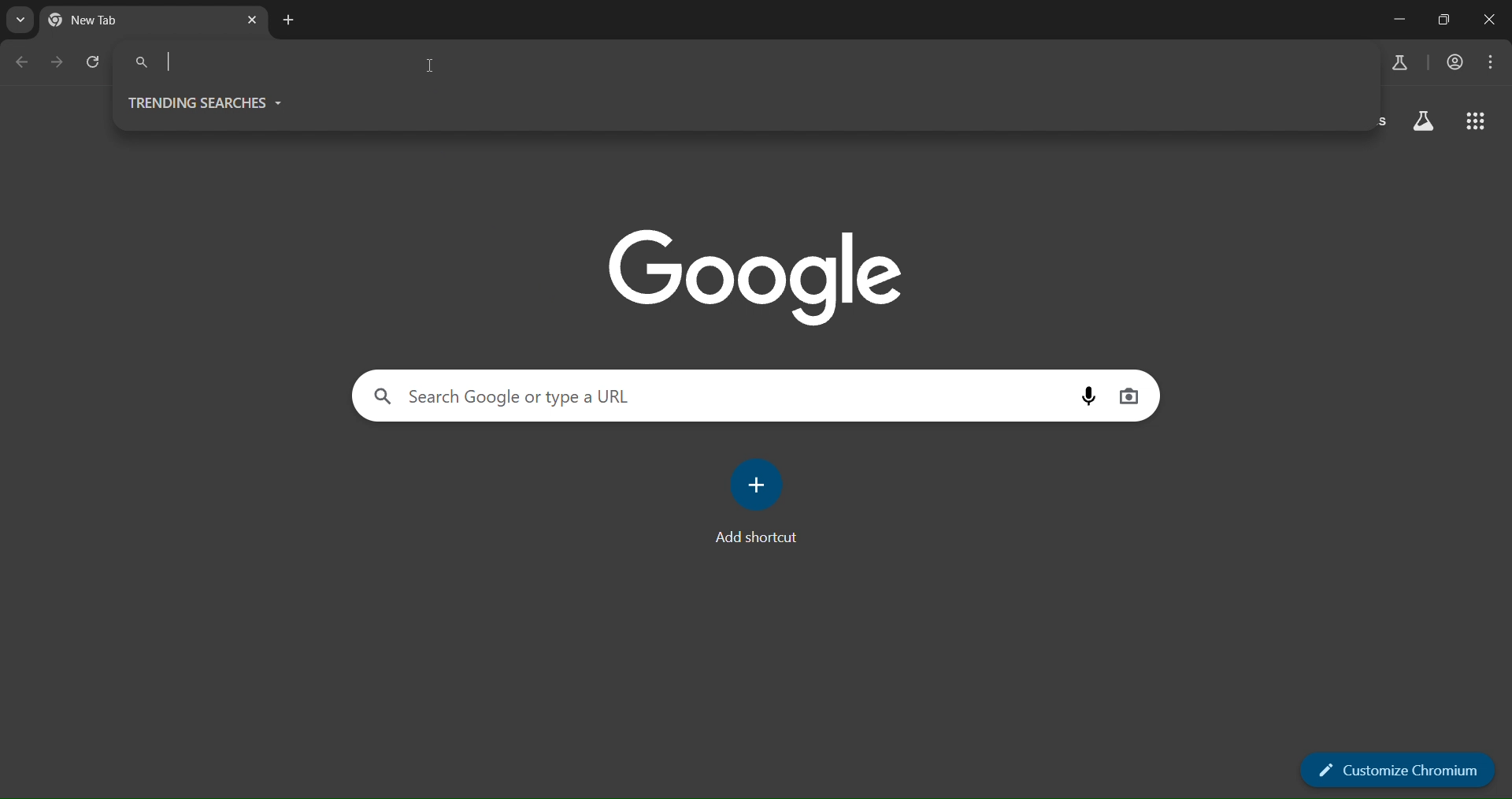  Describe the element at coordinates (1395, 20) in the screenshot. I see `minimize` at that location.